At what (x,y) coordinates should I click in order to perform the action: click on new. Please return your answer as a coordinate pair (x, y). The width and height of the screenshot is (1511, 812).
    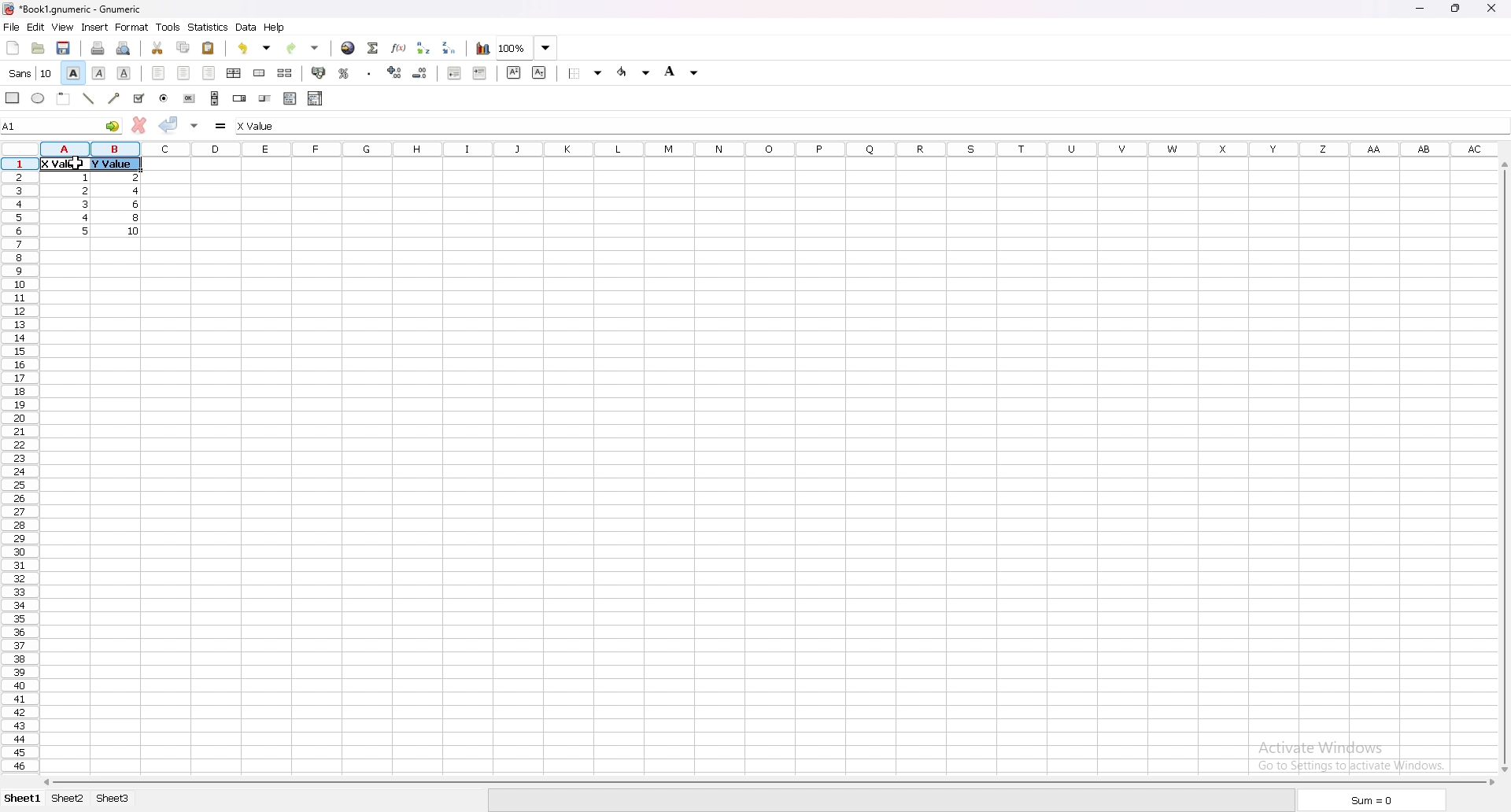
    Looking at the image, I should click on (13, 47).